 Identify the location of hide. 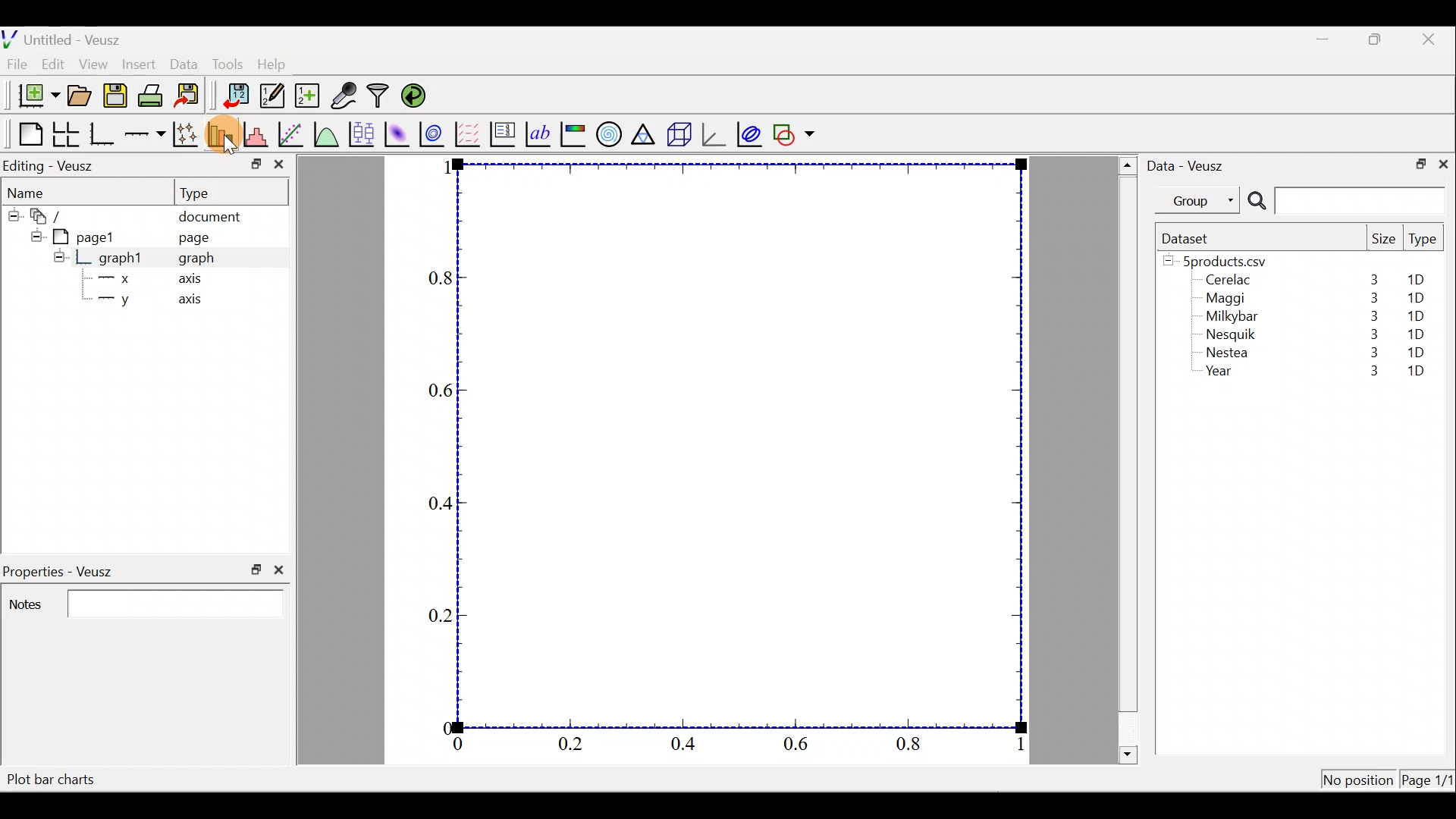
(59, 256).